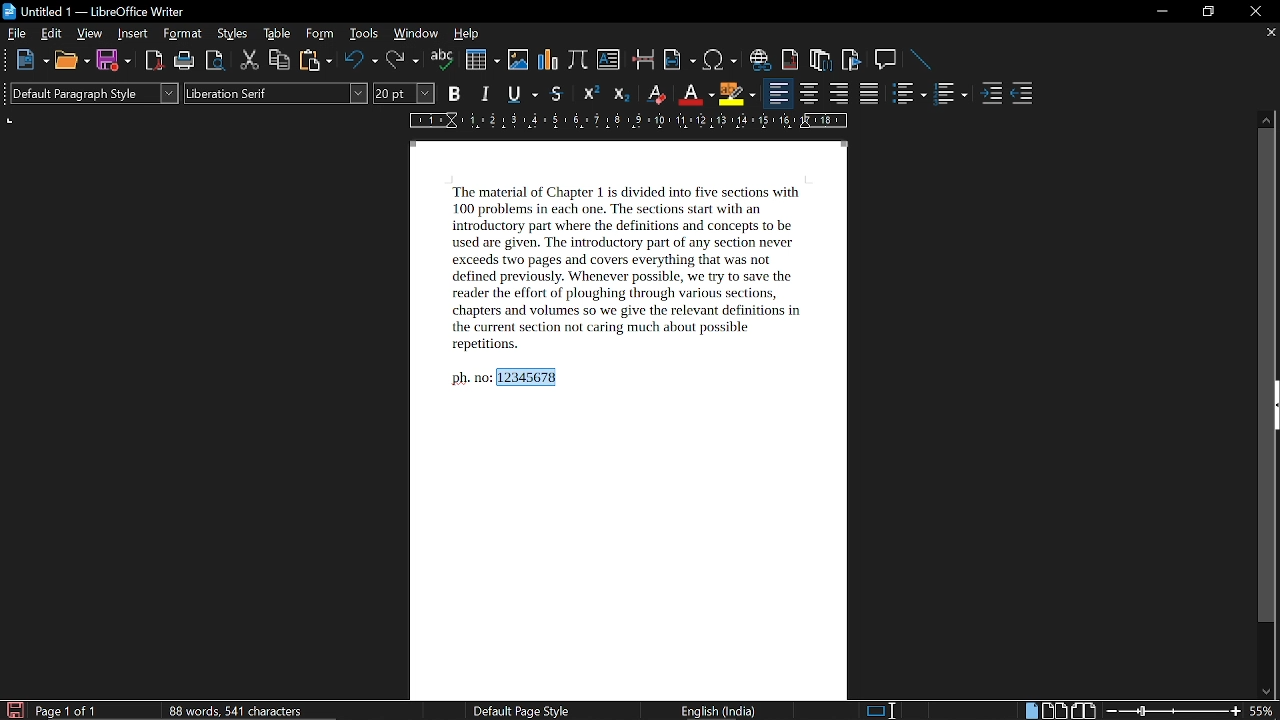 The height and width of the screenshot is (720, 1280). I want to click on align right, so click(838, 95).